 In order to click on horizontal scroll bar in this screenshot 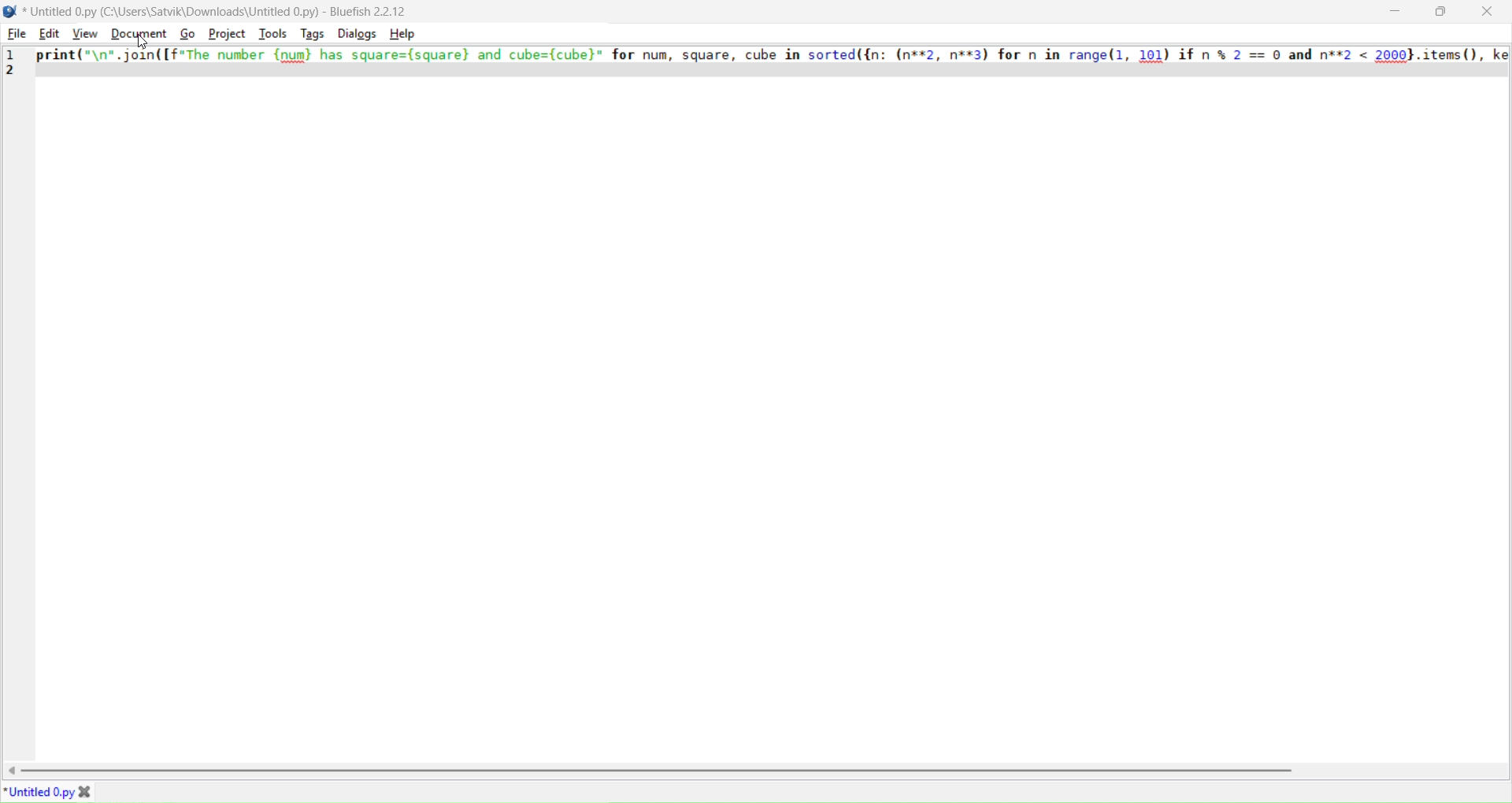, I will do `click(769, 770)`.